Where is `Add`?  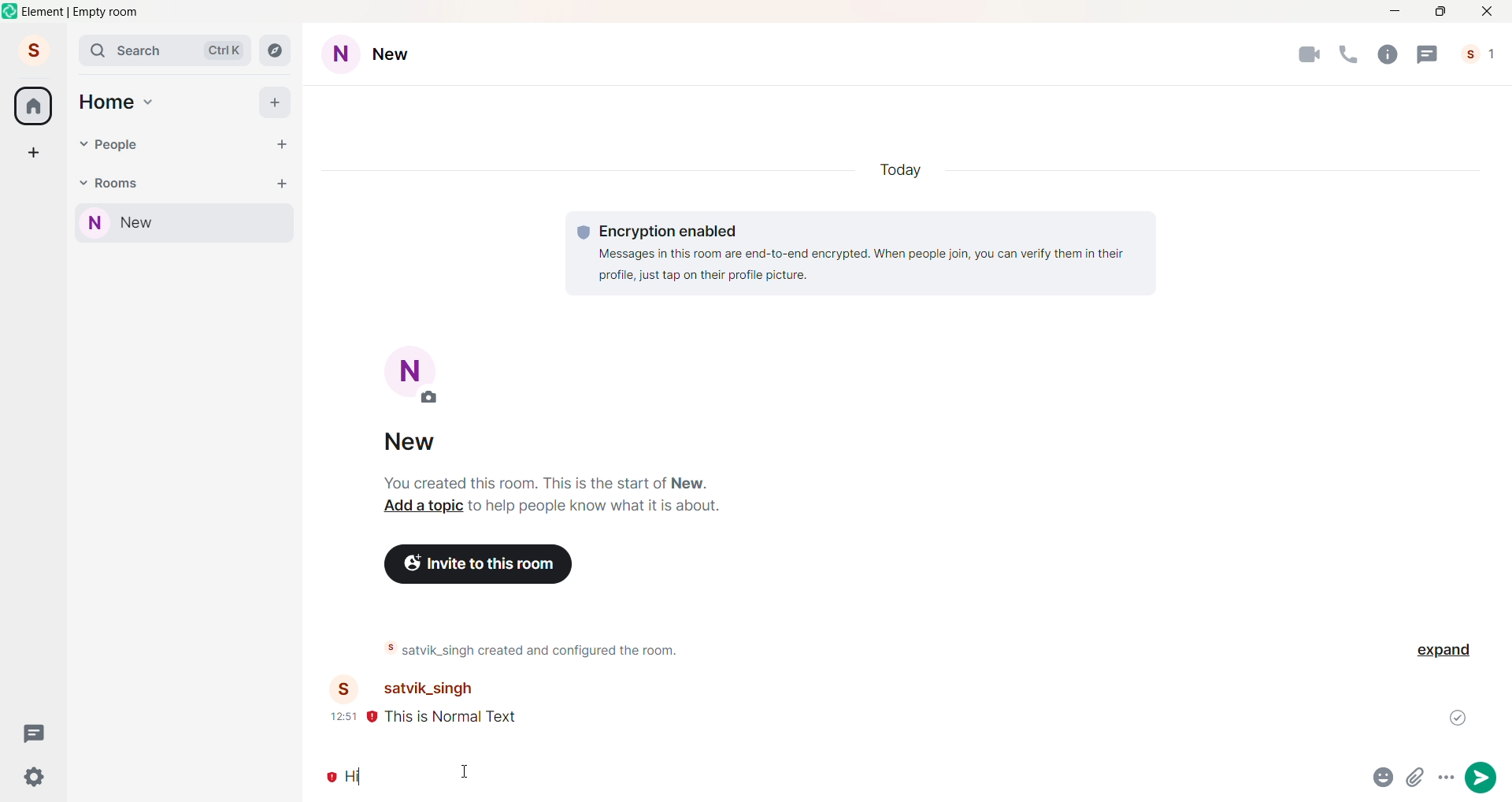
Add is located at coordinates (276, 102).